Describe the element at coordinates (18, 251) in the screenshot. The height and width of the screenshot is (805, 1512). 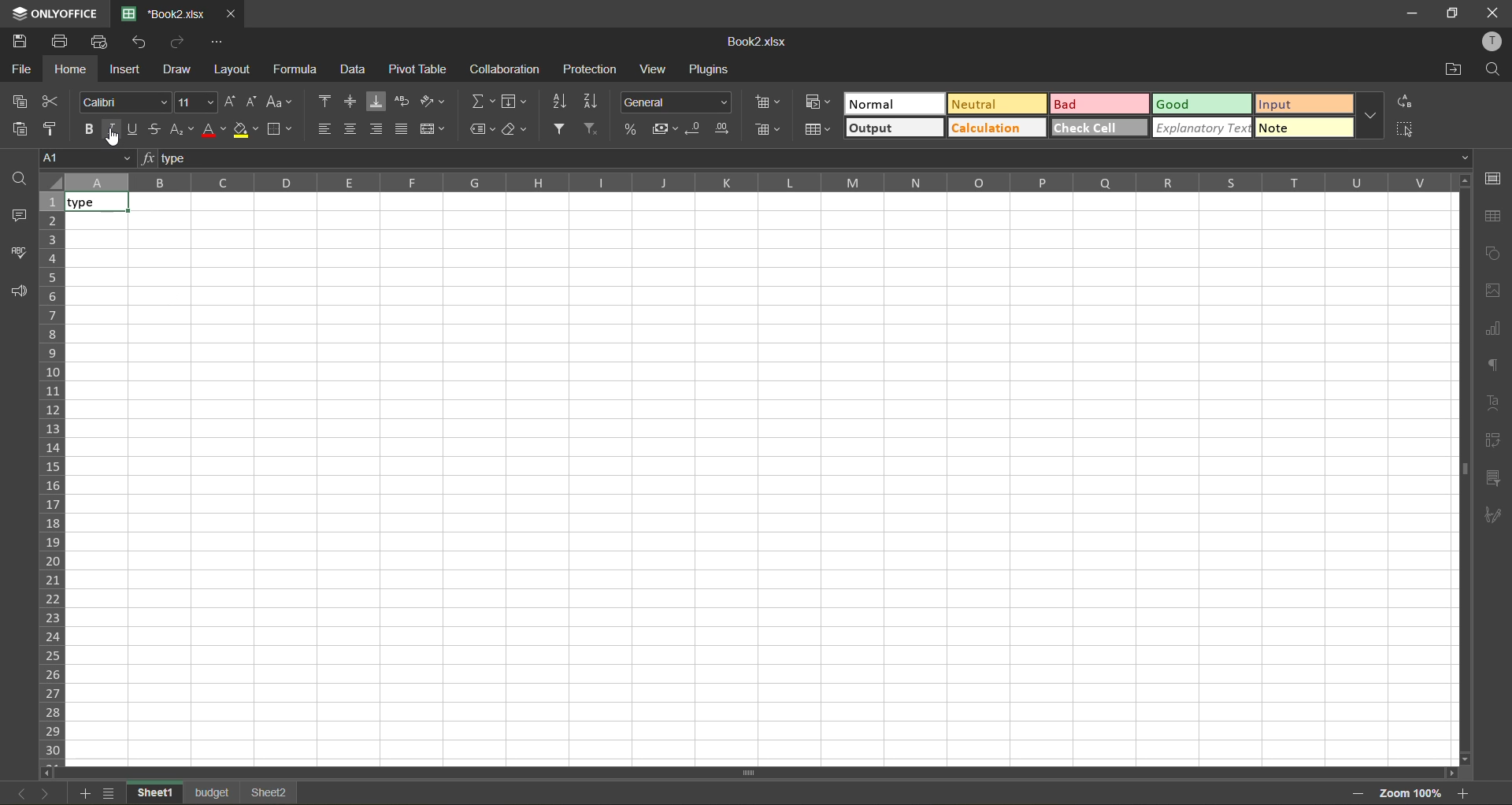
I see `spellcheck` at that location.